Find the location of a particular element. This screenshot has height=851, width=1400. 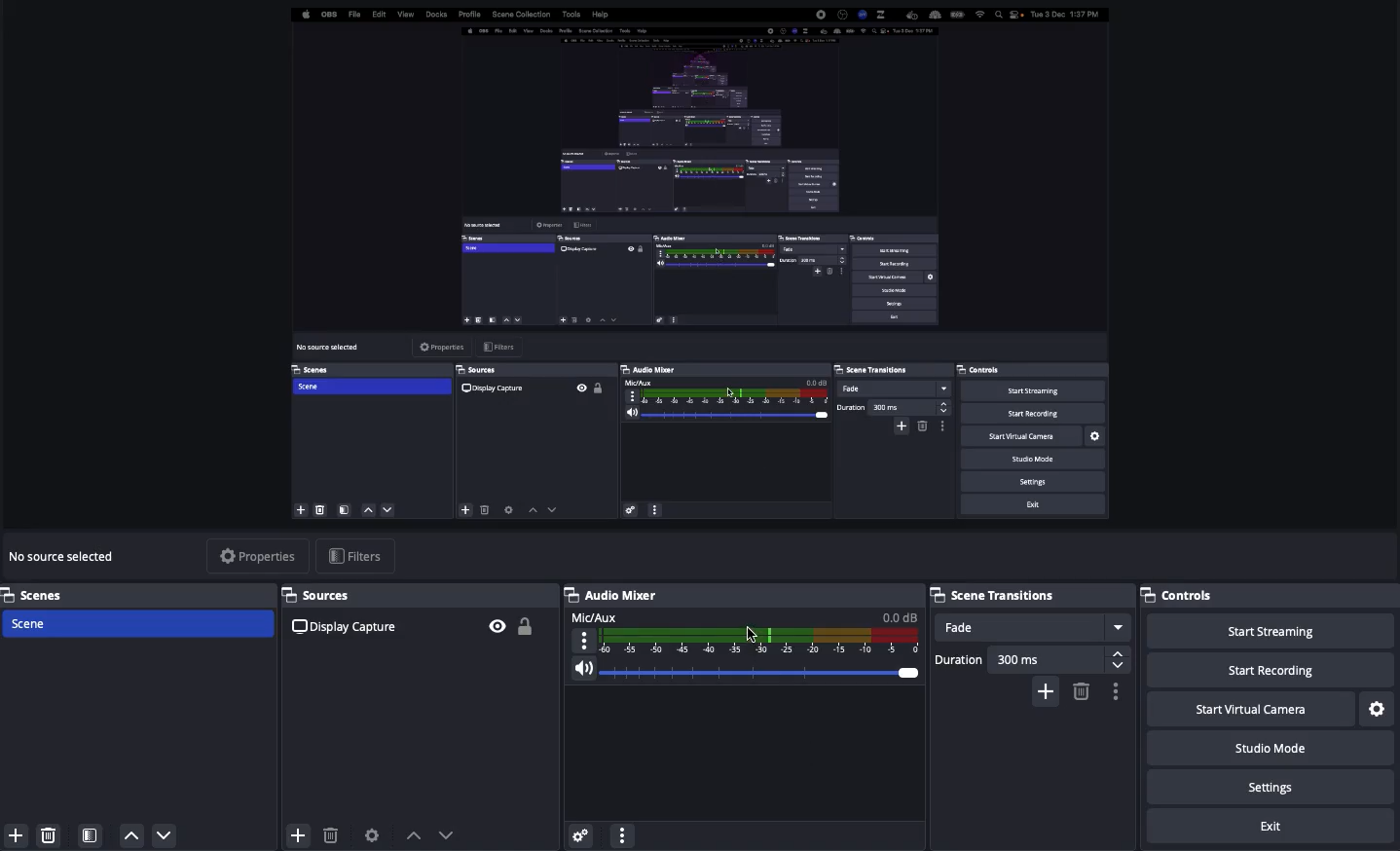

Duration is located at coordinates (1030, 659).